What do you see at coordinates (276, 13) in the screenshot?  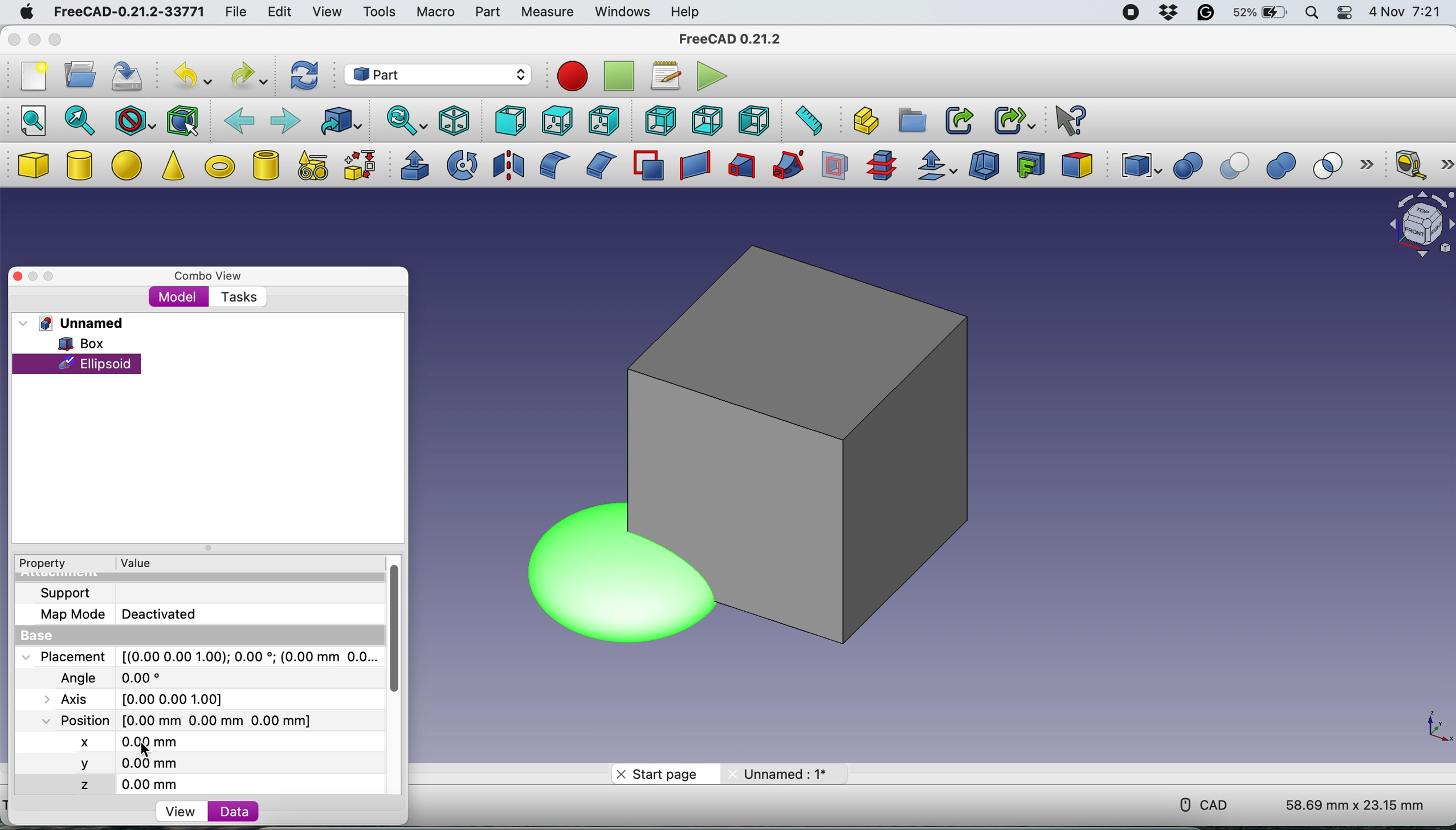 I see `edit` at bounding box center [276, 13].